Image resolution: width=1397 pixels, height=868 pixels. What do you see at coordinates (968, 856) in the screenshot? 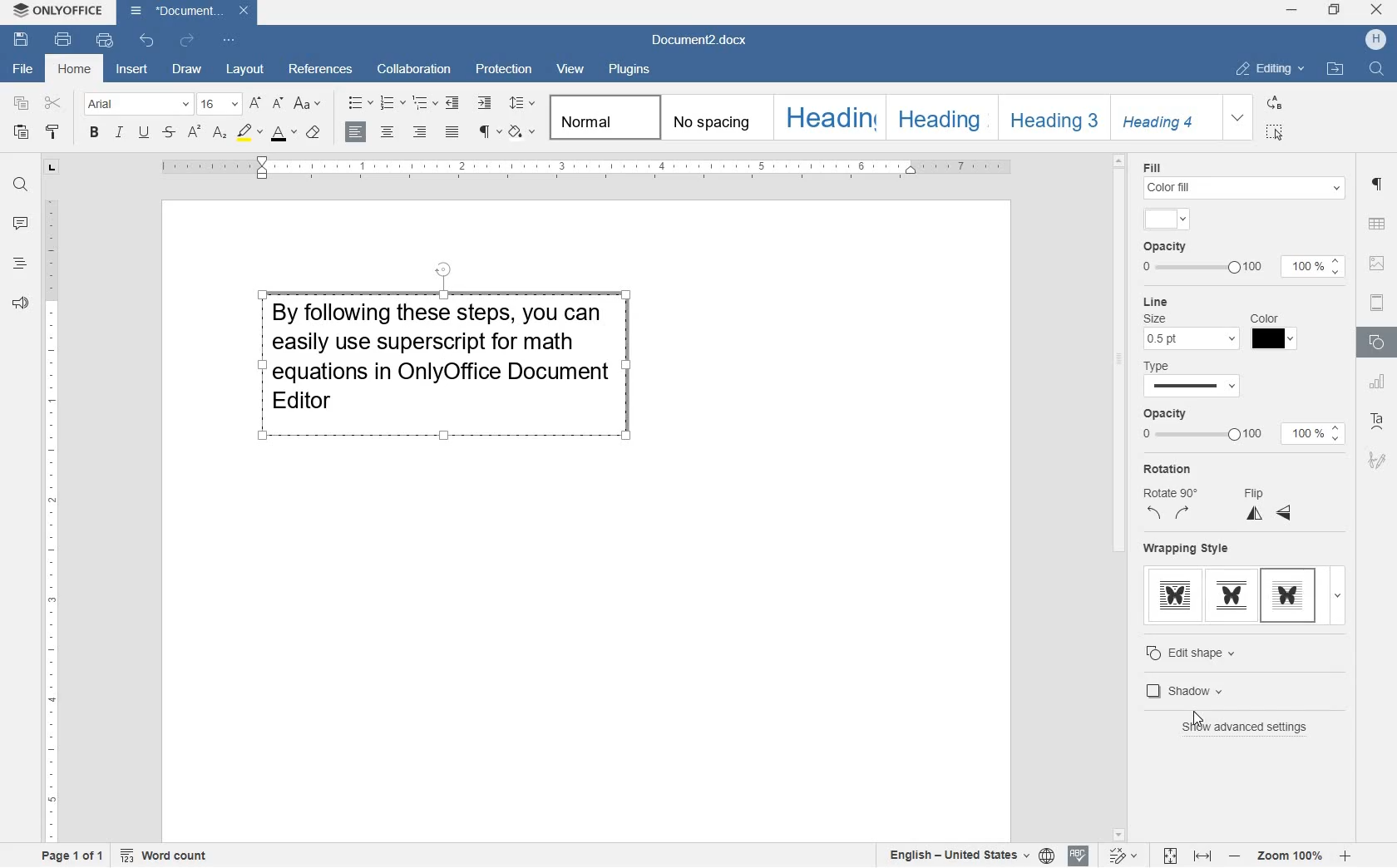
I see `select document/text language` at bounding box center [968, 856].